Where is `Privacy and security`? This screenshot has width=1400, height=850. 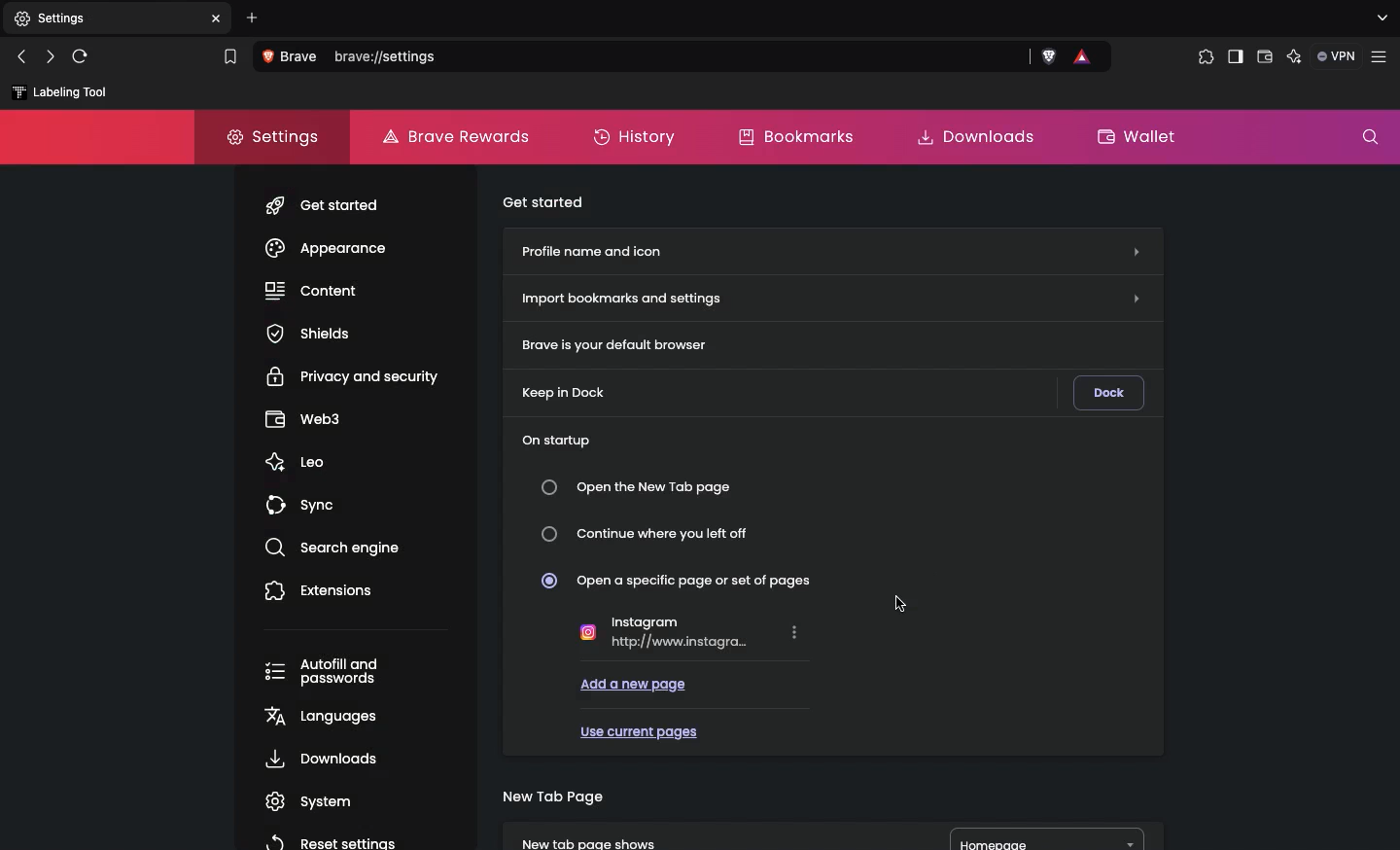 Privacy and security is located at coordinates (356, 374).